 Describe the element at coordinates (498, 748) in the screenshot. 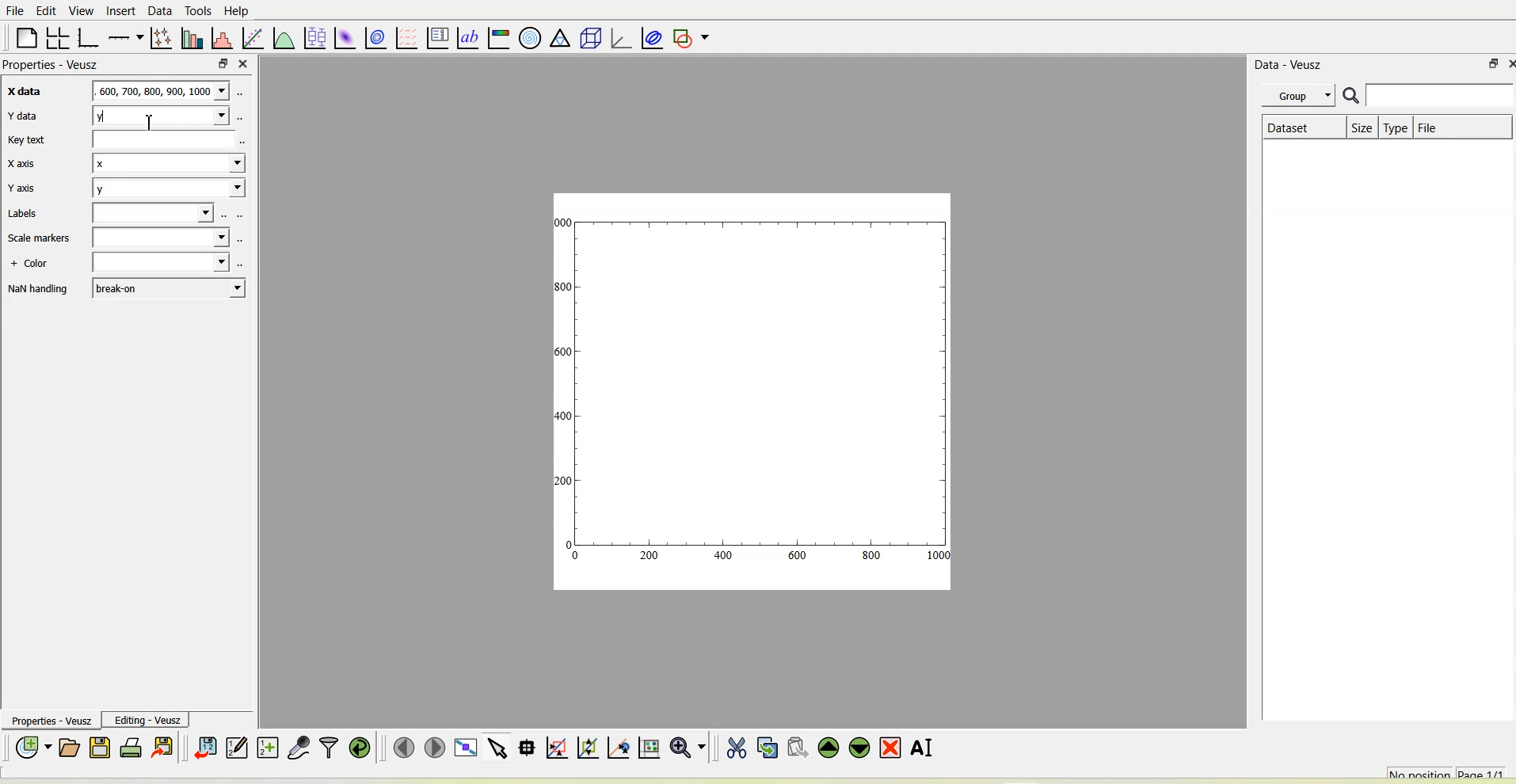

I see `Select items from the graph or scroll` at that location.